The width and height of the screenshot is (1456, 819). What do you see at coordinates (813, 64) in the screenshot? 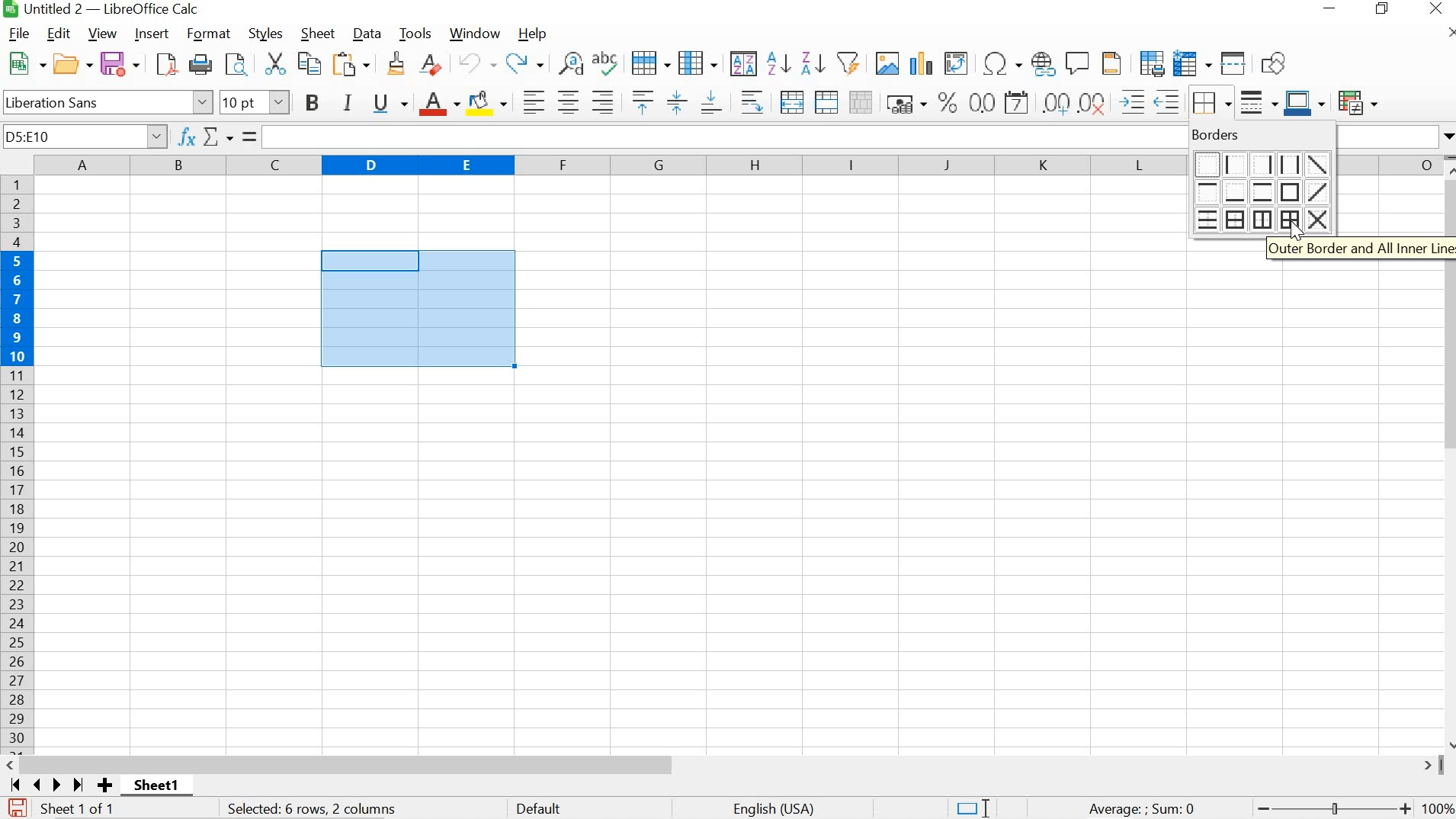
I see `SORT DESCENDING` at bounding box center [813, 64].